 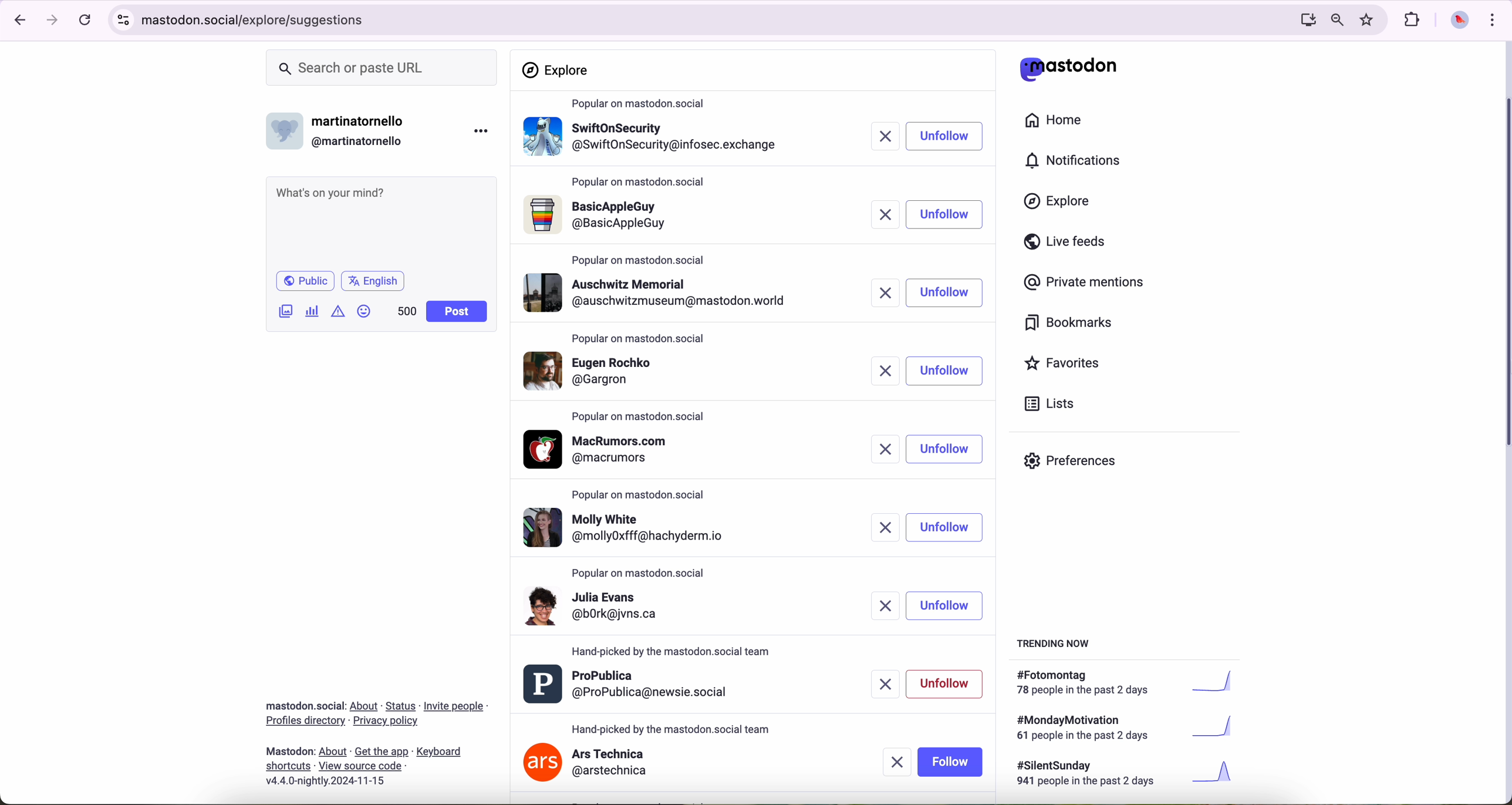 What do you see at coordinates (365, 311) in the screenshot?
I see `emoji` at bounding box center [365, 311].